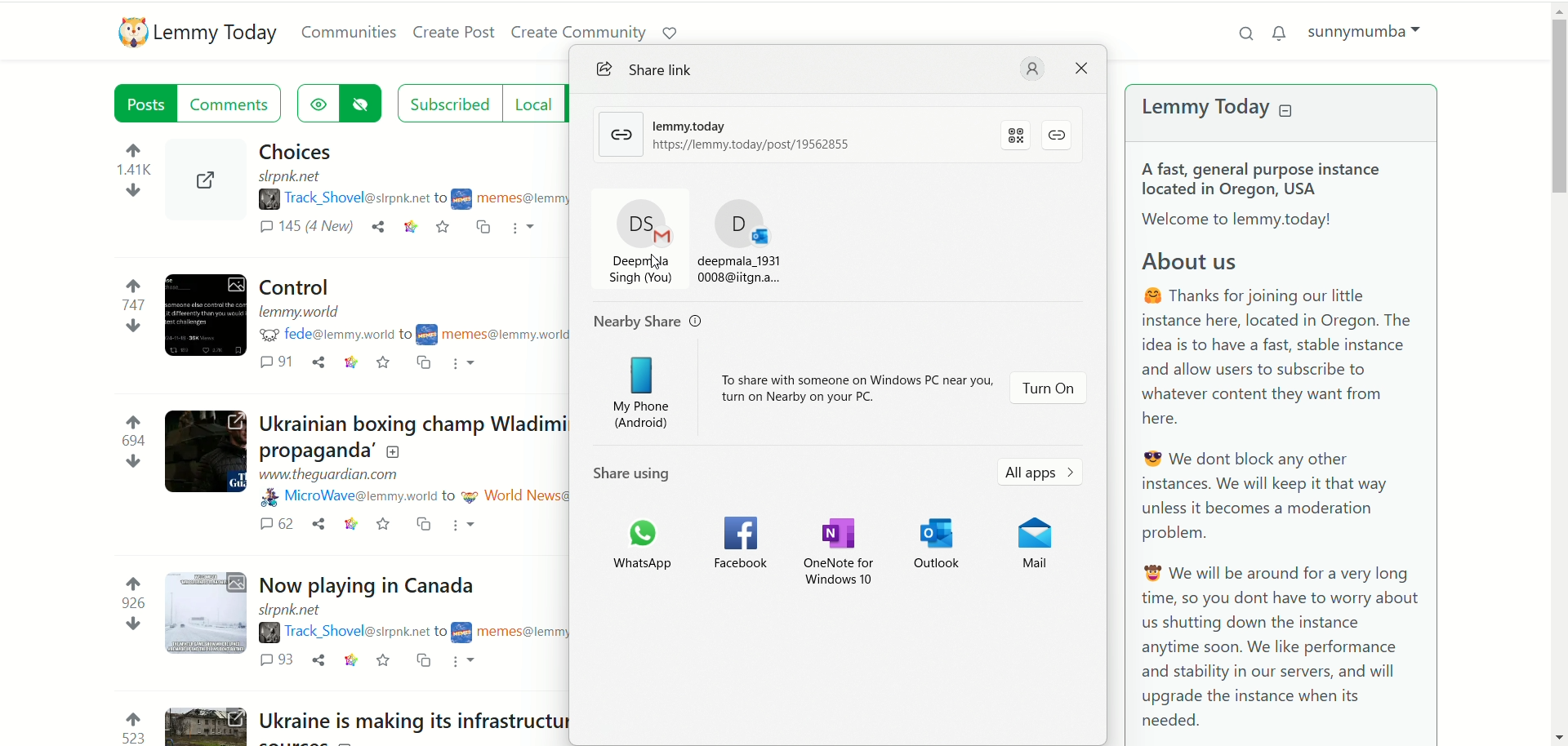 The height and width of the screenshot is (746, 1568). Describe the element at coordinates (207, 315) in the screenshot. I see `Expand the post with the image` at that location.